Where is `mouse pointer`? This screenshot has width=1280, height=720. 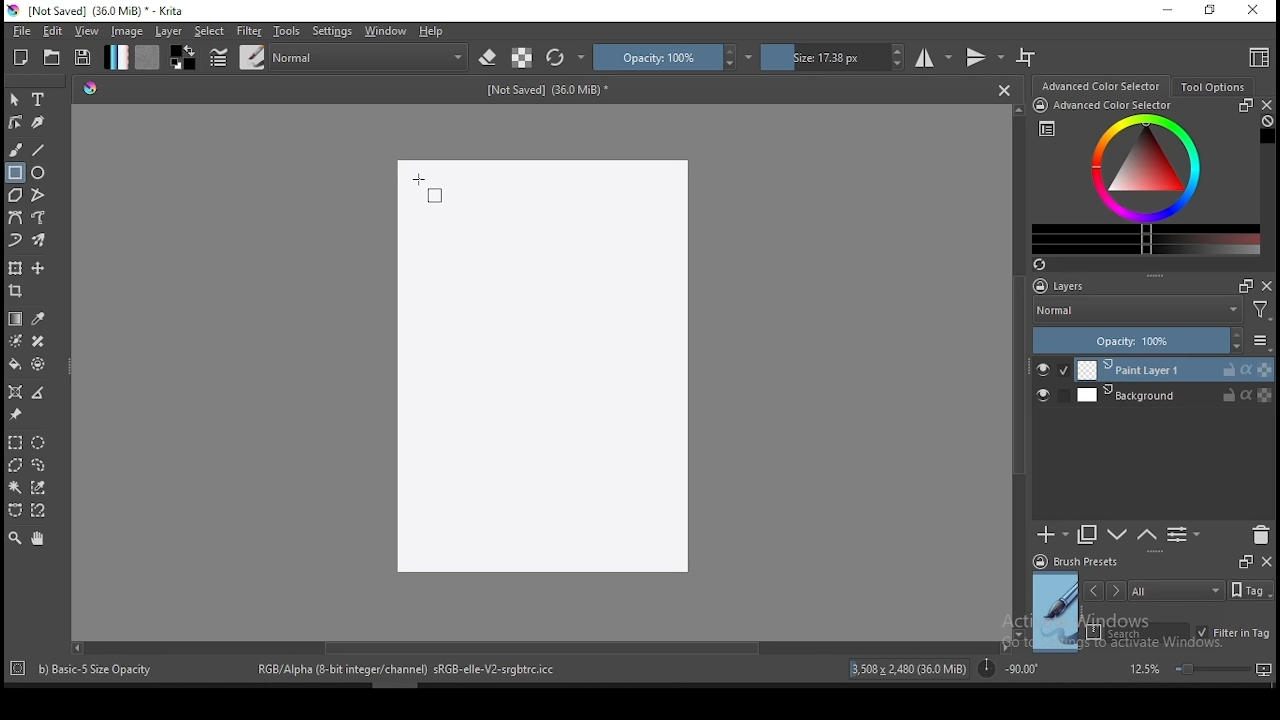 mouse pointer is located at coordinates (432, 192).